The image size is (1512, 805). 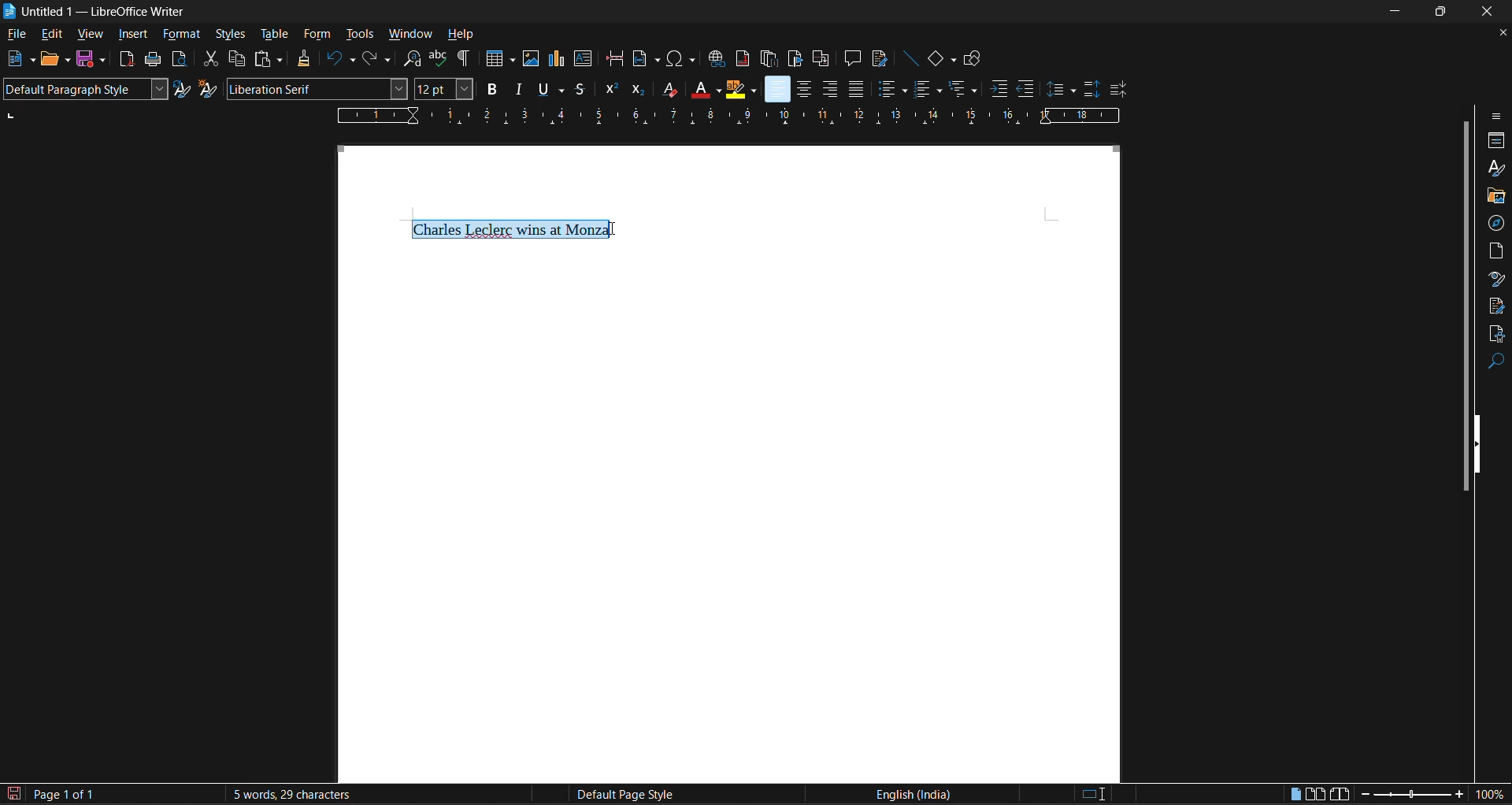 What do you see at coordinates (1497, 116) in the screenshot?
I see `sidebar settings` at bounding box center [1497, 116].